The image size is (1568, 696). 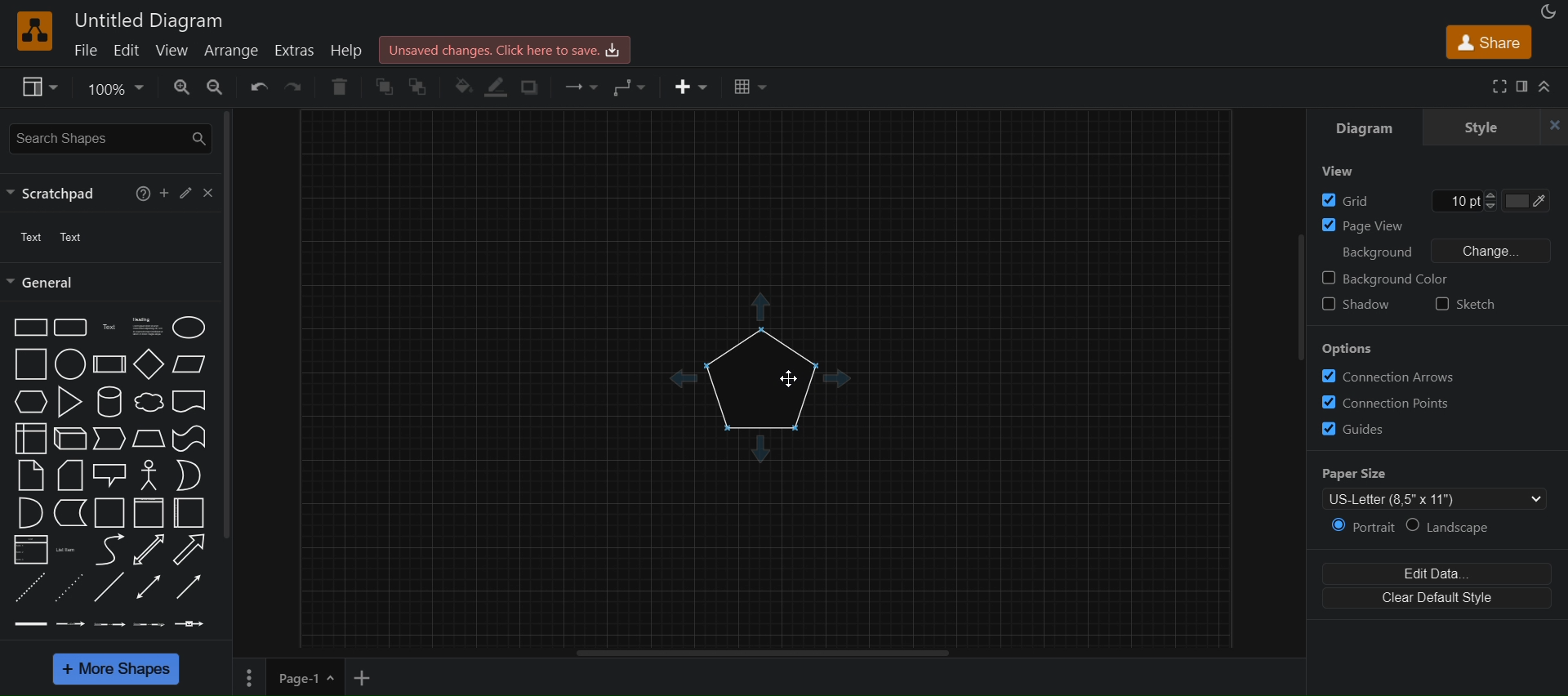 What do you see at coordinates (1550, 127) in the screenshot?
I see `close` at bounding box center [1550, 127].